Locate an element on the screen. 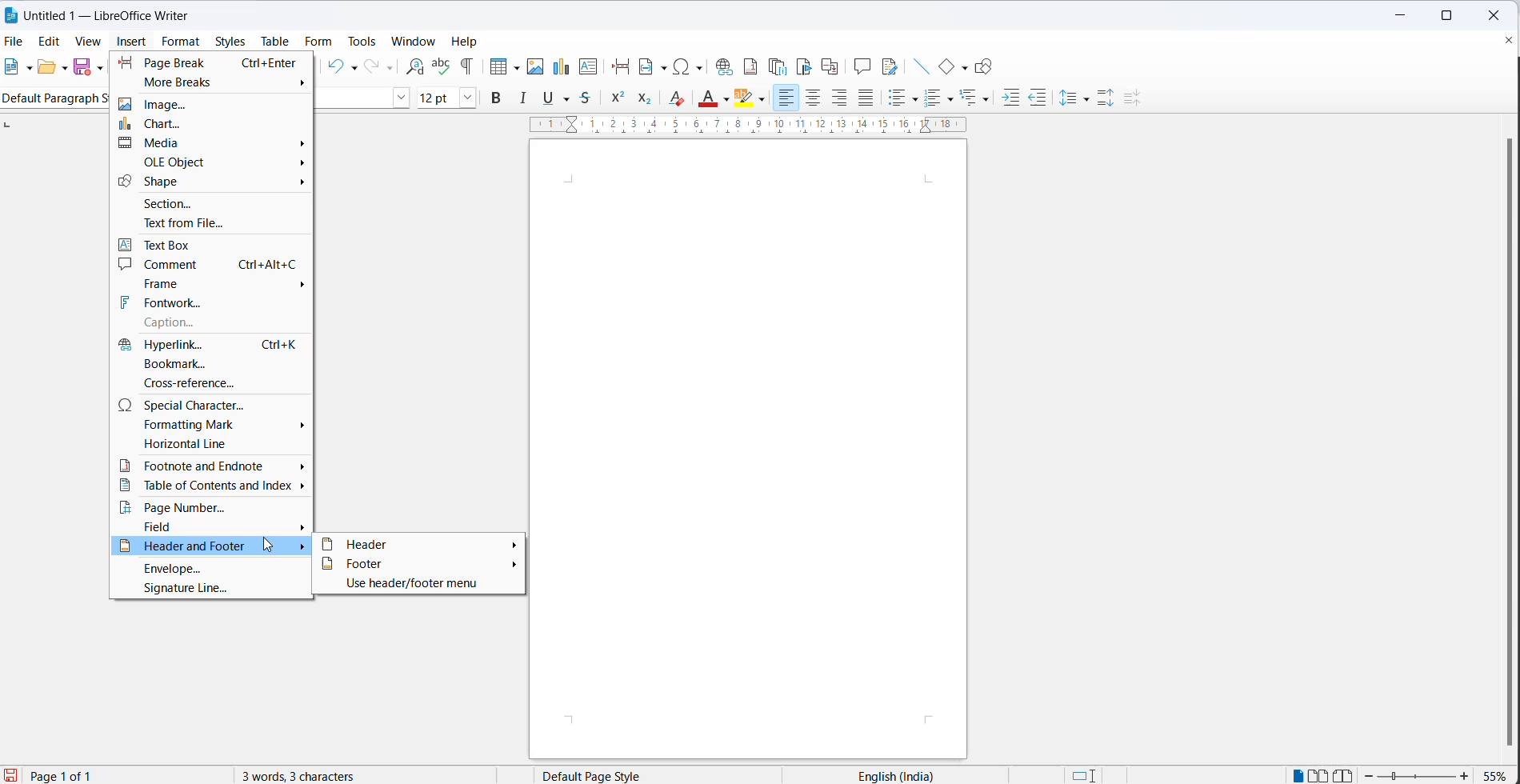 Image resolution: width=1520 pixels, height=784 pixels. decrease indent is located at coordinates (1040, 98).